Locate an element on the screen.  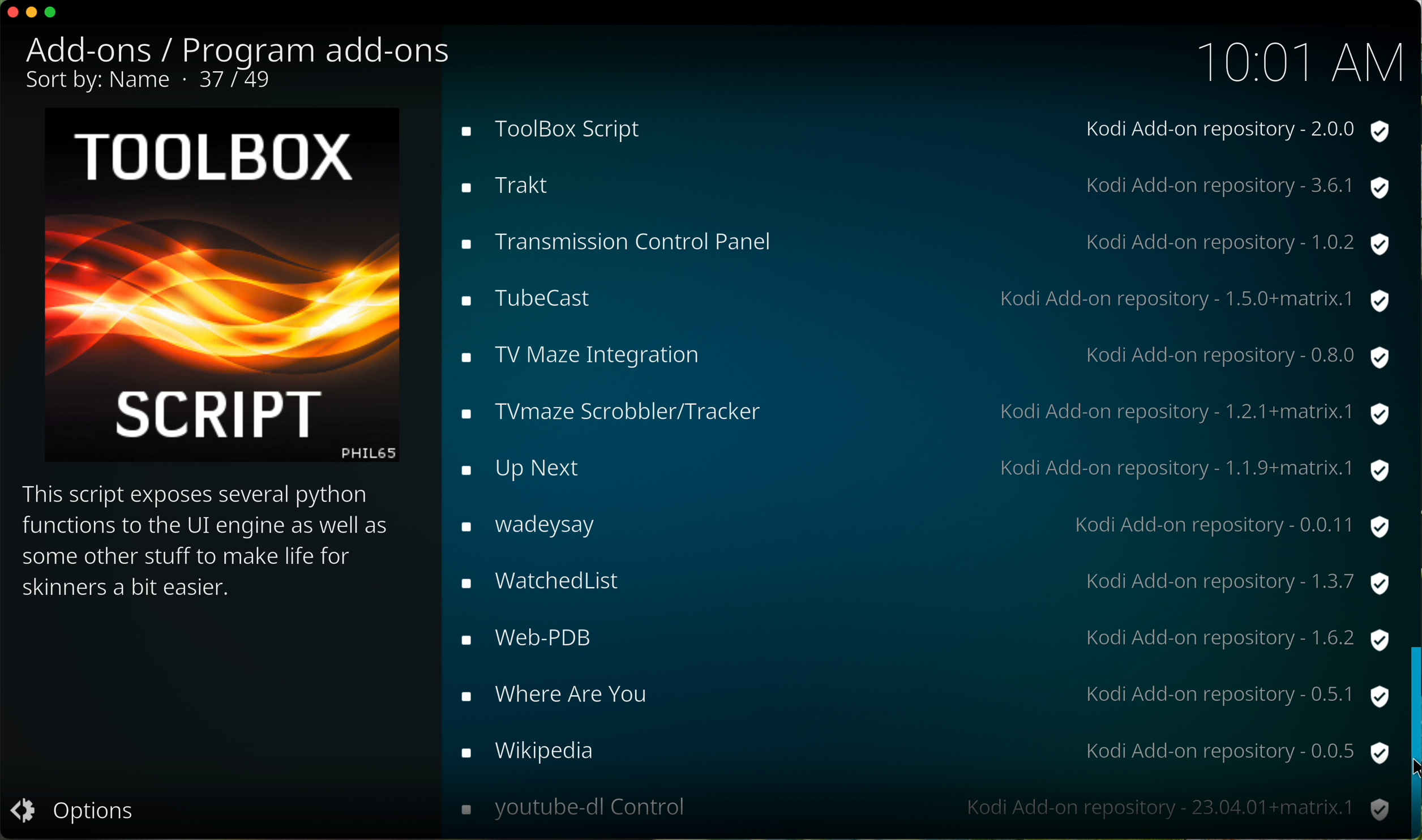
up next is located at coordinates (923, 466).